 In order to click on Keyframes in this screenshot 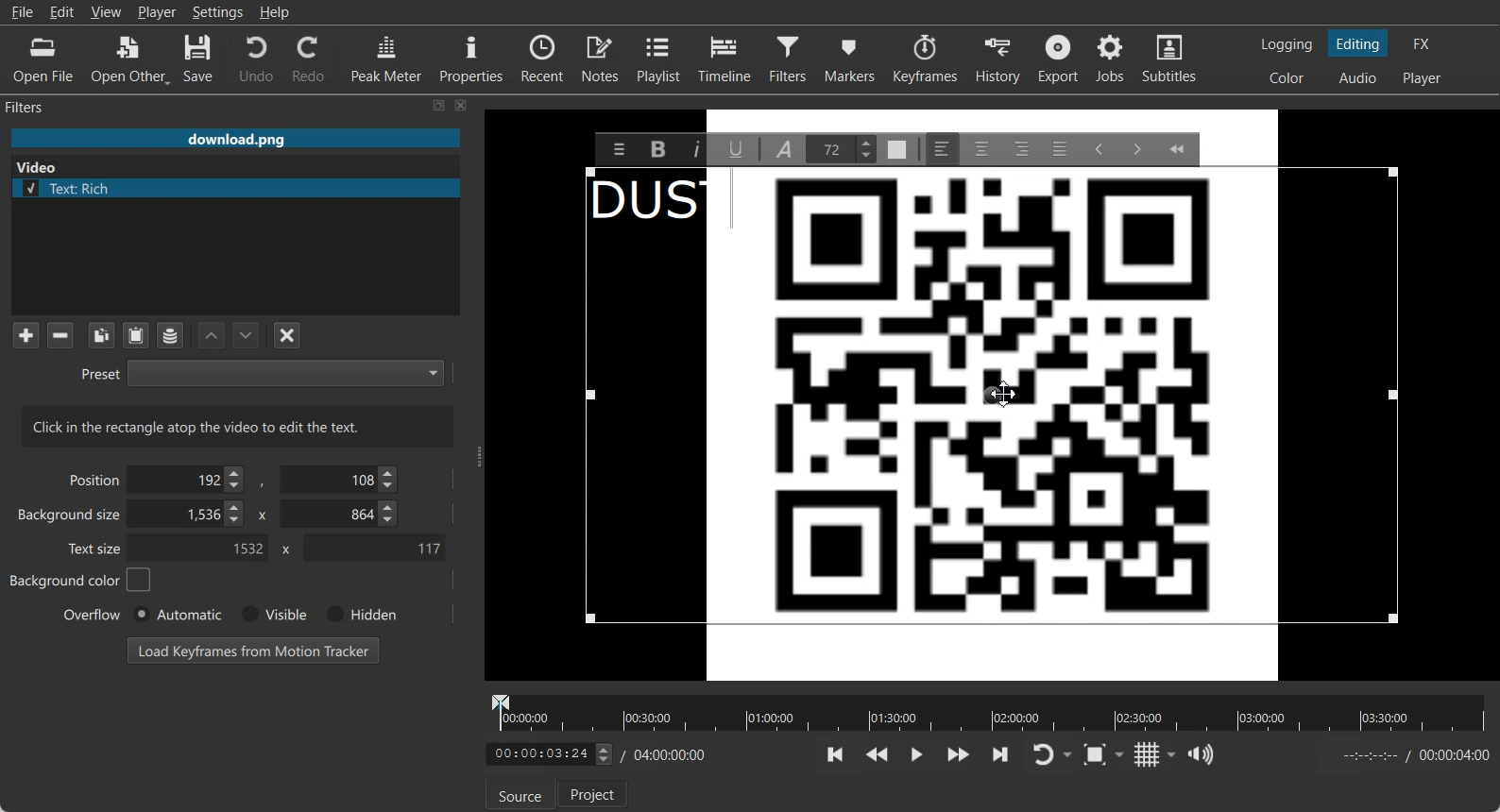, I will do `click(925, 58)`.